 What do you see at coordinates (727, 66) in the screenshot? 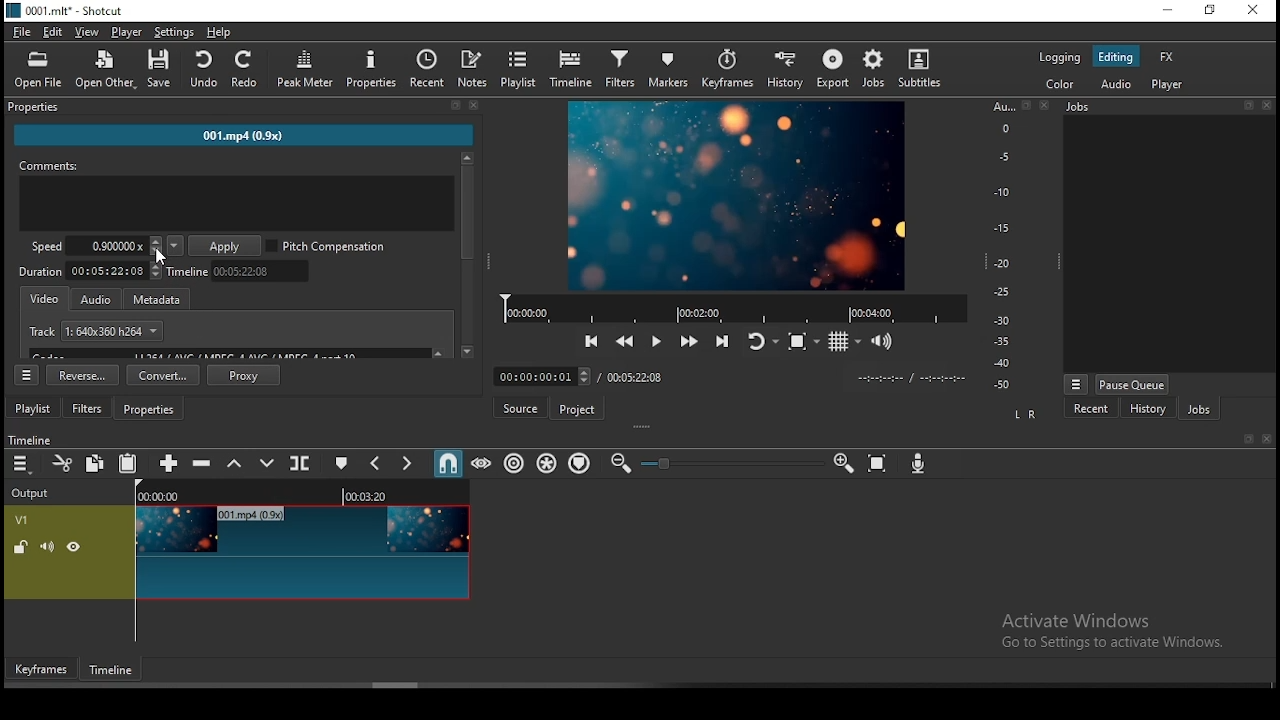
I see `keyframes` at bounding box center [727, 66].